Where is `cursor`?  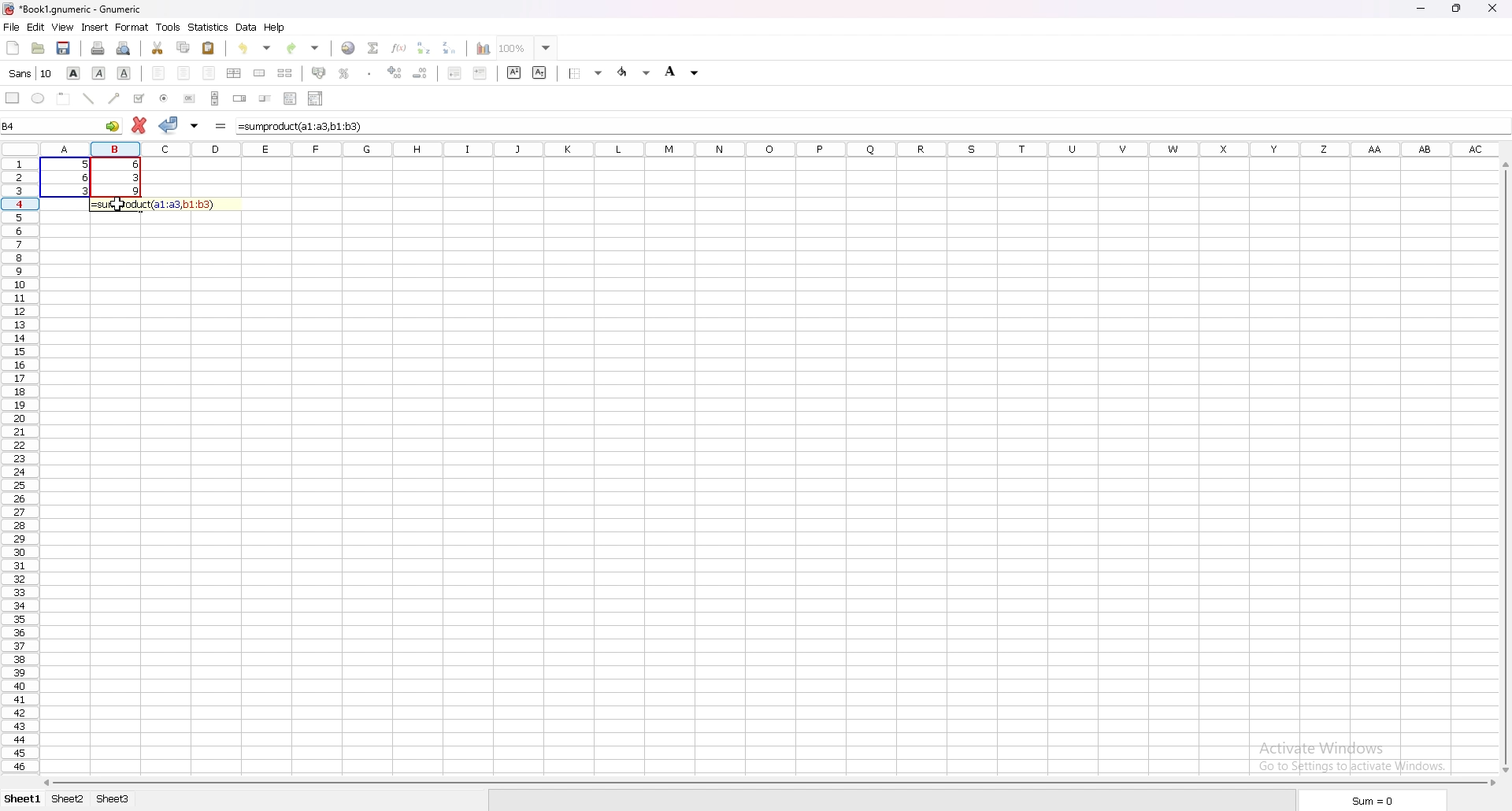
cursor is located at coordinates (120, 206).